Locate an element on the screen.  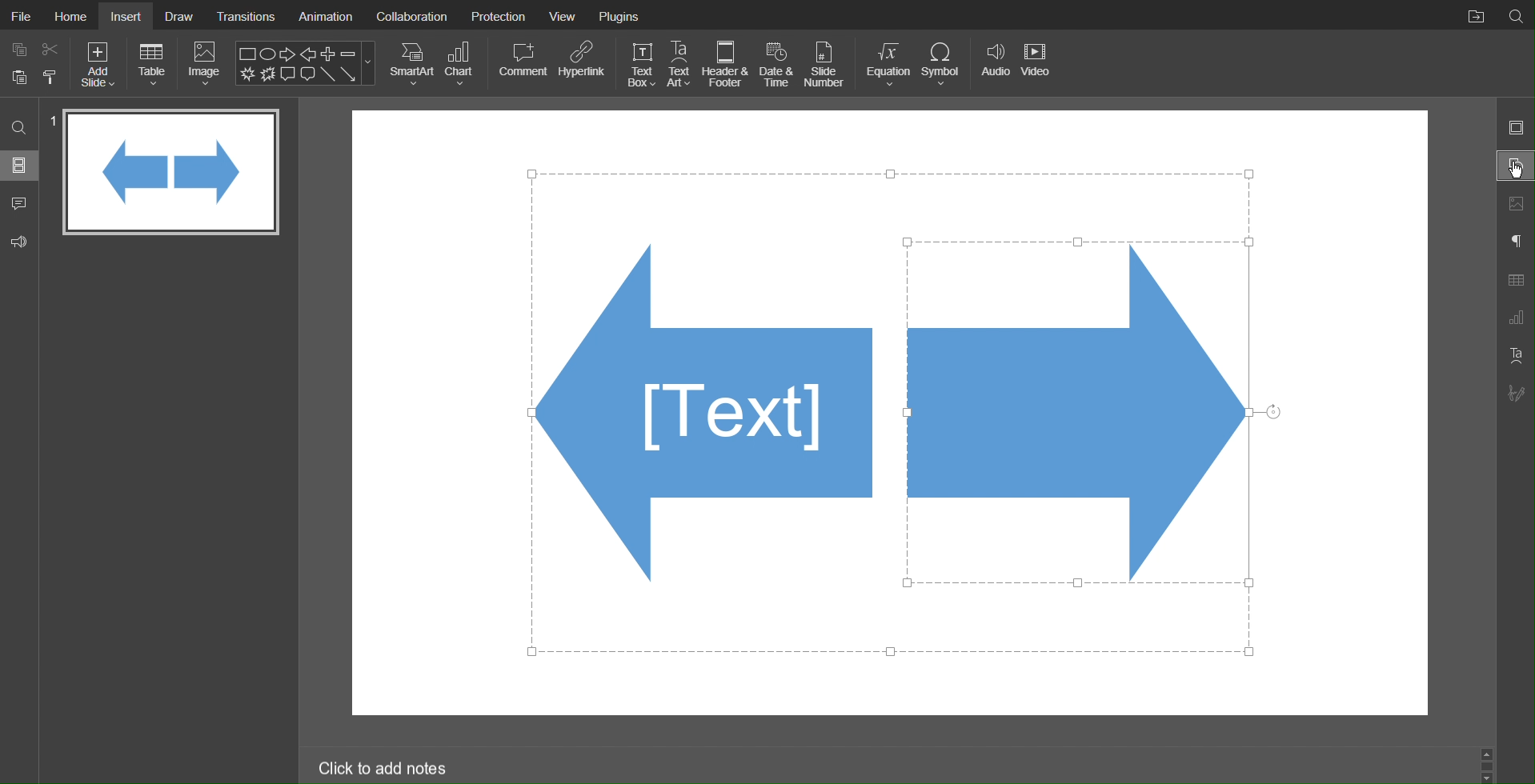
Header & Footer is located at coordinates (727, 64).